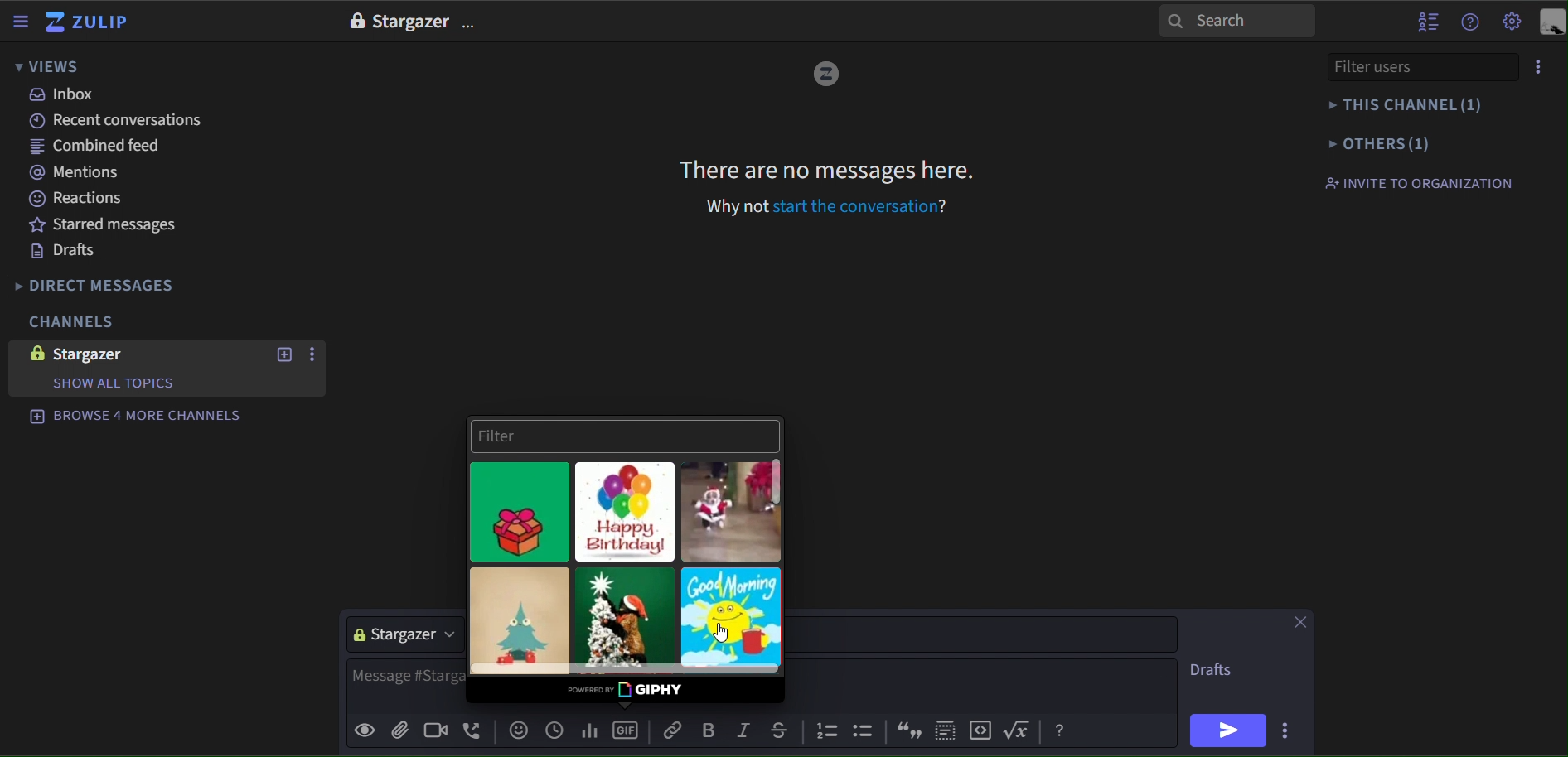 The height and width of the screenshot is (757, 1568). I want to click on Others(1), so click(1414, 142).